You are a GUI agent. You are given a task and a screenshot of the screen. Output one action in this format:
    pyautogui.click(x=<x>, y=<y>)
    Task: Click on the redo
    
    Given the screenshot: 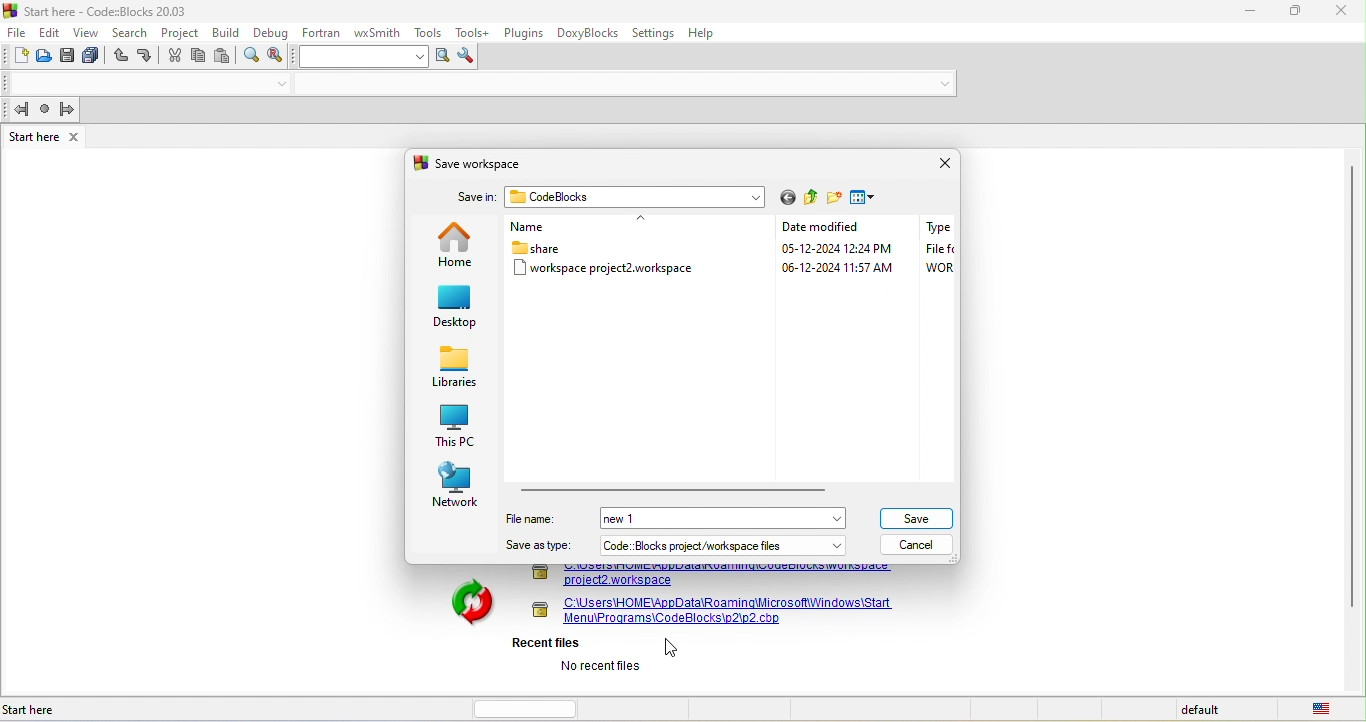 What is the action you would take?
    pyautogui.click(x=147, y=56)
    